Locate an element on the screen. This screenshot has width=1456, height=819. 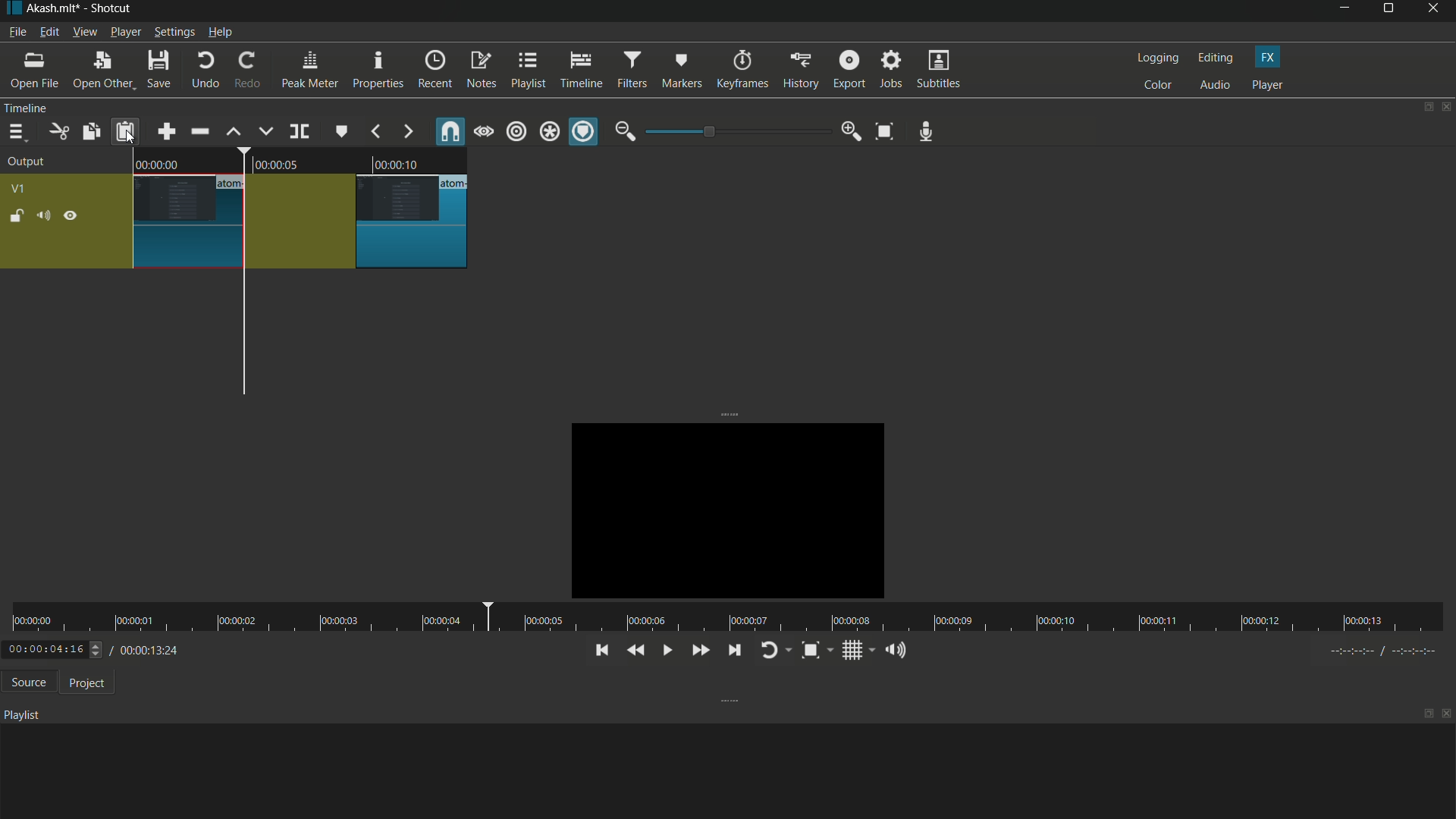
timecodes is located at coordinates (1391, 651).